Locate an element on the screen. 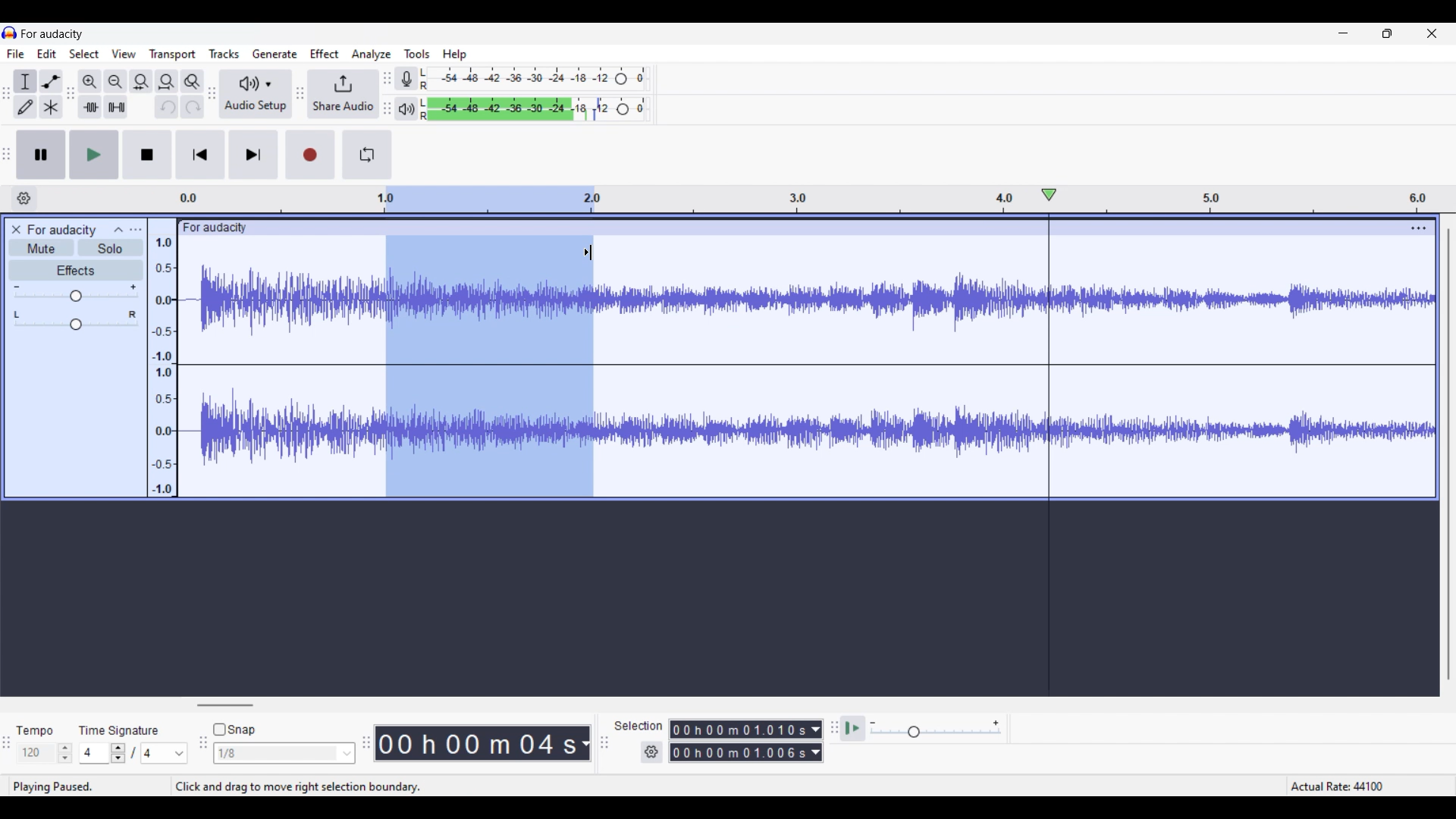 Image resolution: width=1456 pixels, height=819 pixels. Play at speed once/Play at speed is located at coordinates (853, 729).